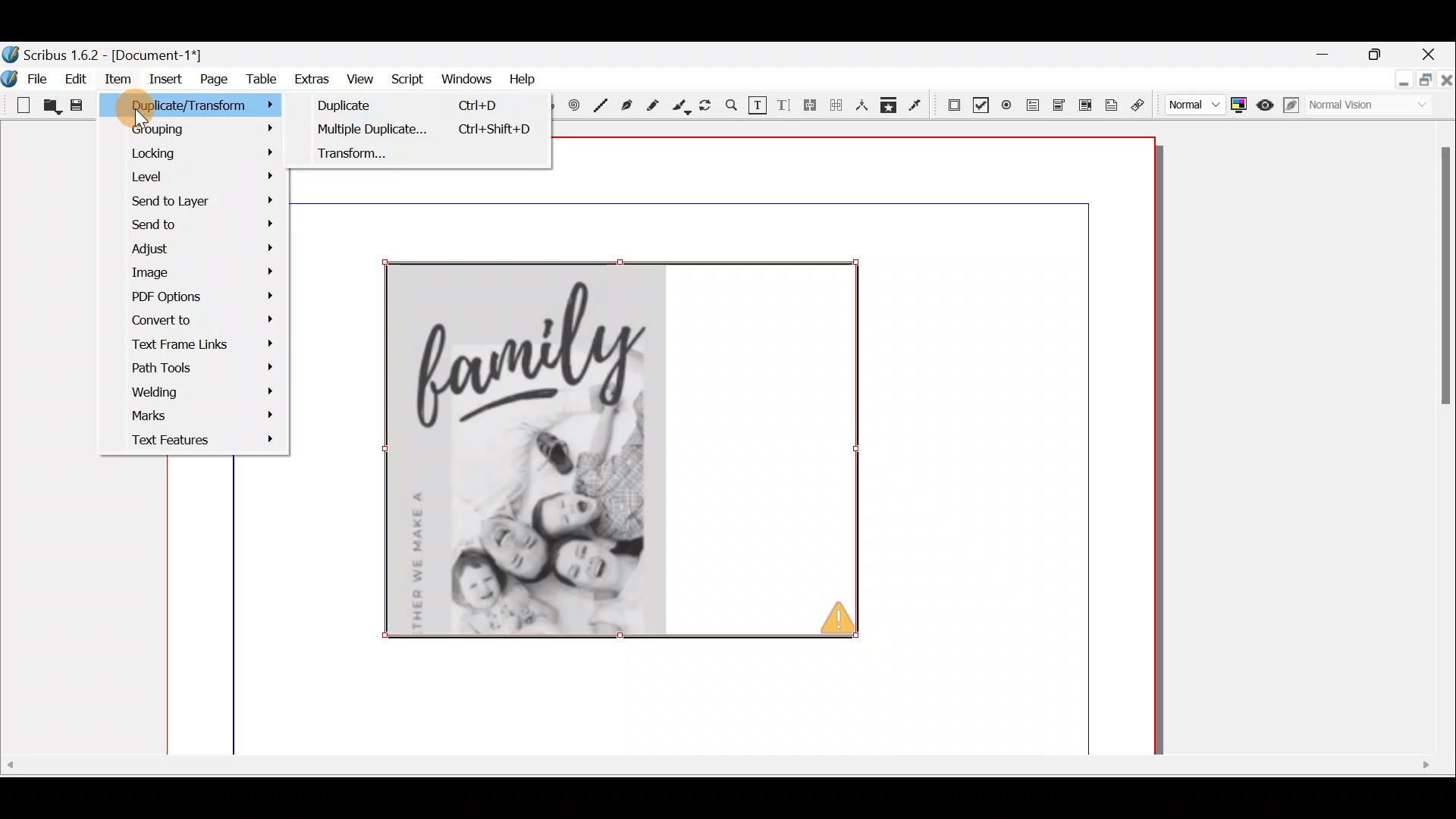 This screenshot has height=819, width=1456. Describe the element at coordinates (862, 108) in the screenshot. I see `Measurements` at that location.